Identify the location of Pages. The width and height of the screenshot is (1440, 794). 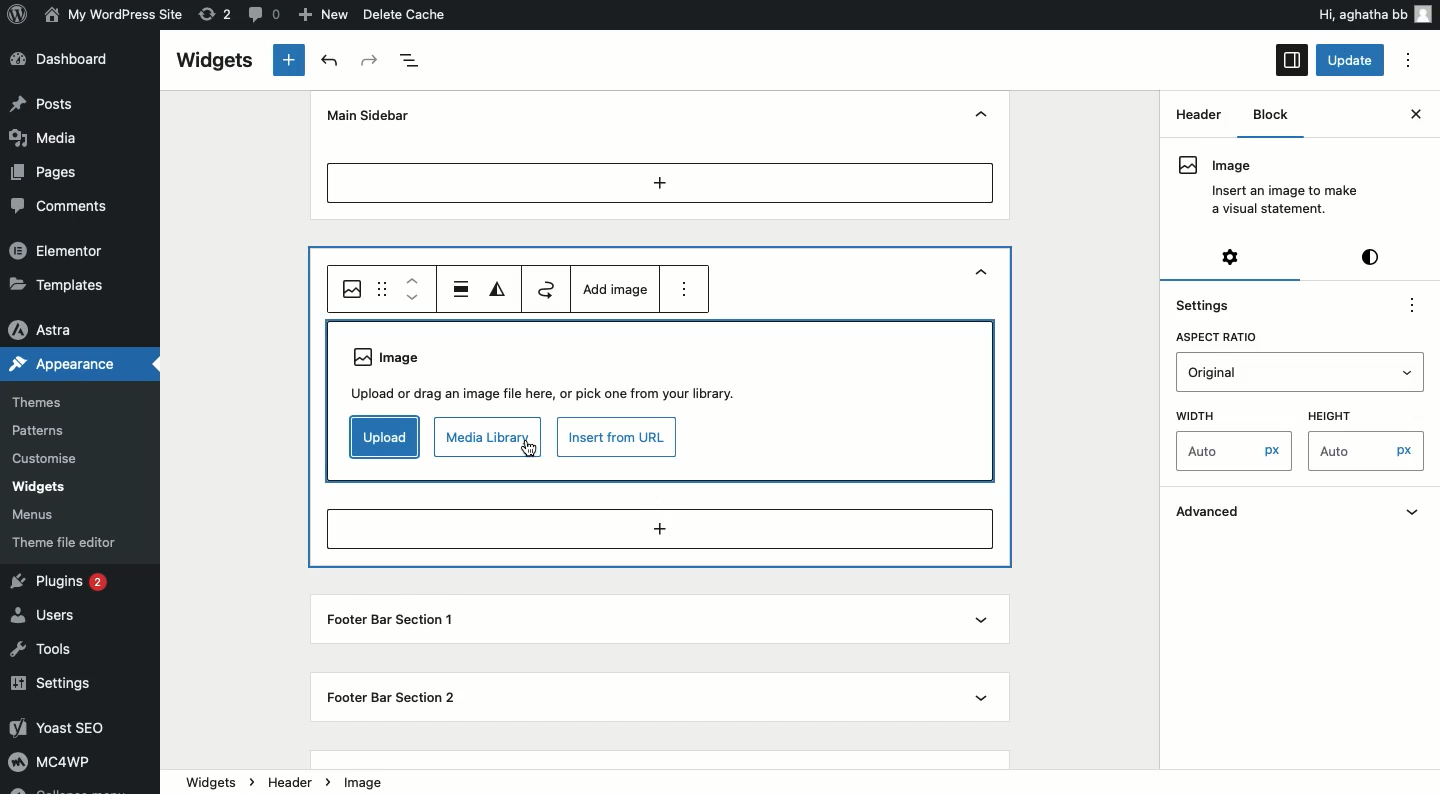
(47, 173).